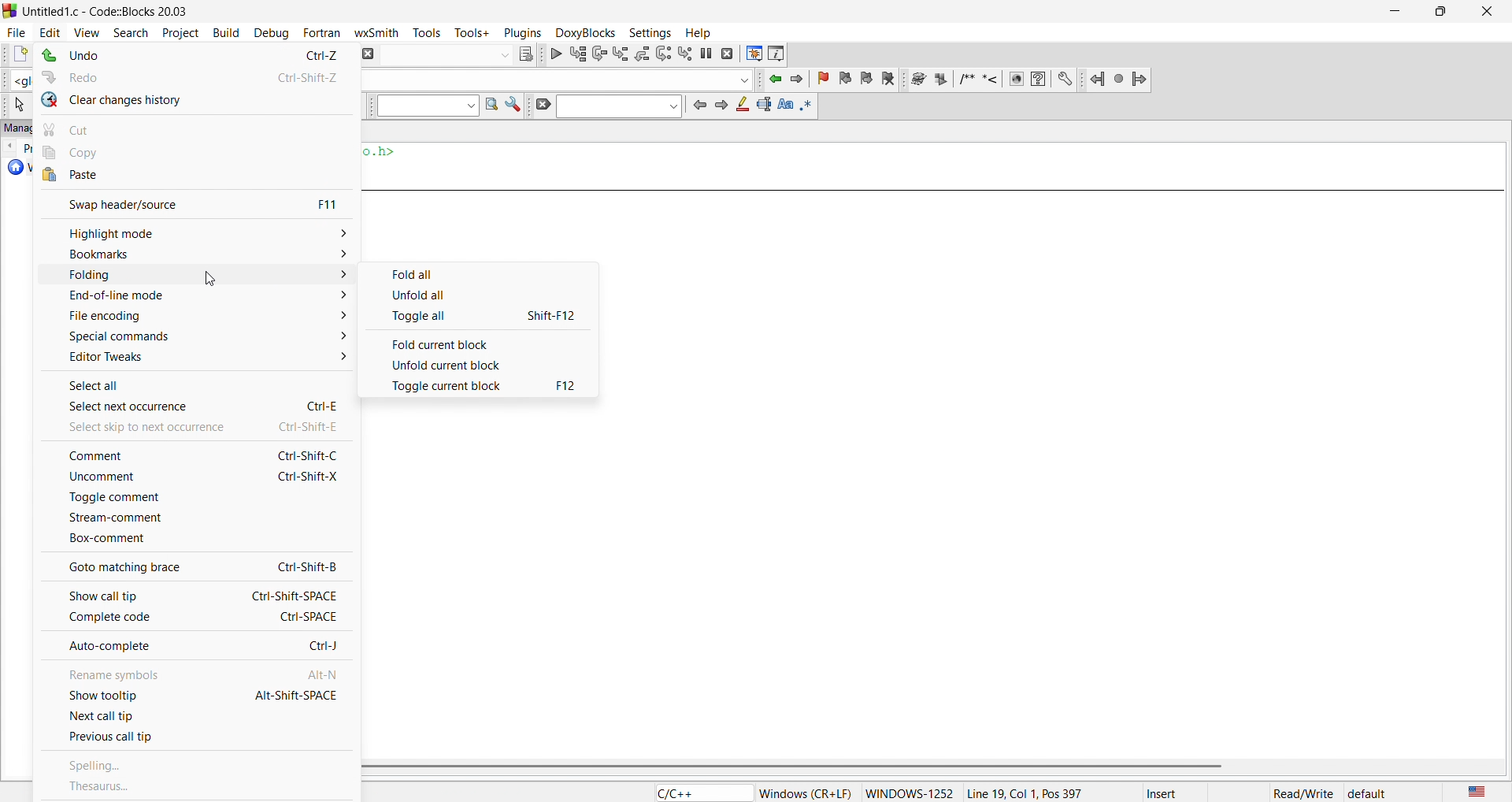 Image resolution: width=1512 pixels, height=802 pixels. I want to click on previous call tip, so click(193, 740).